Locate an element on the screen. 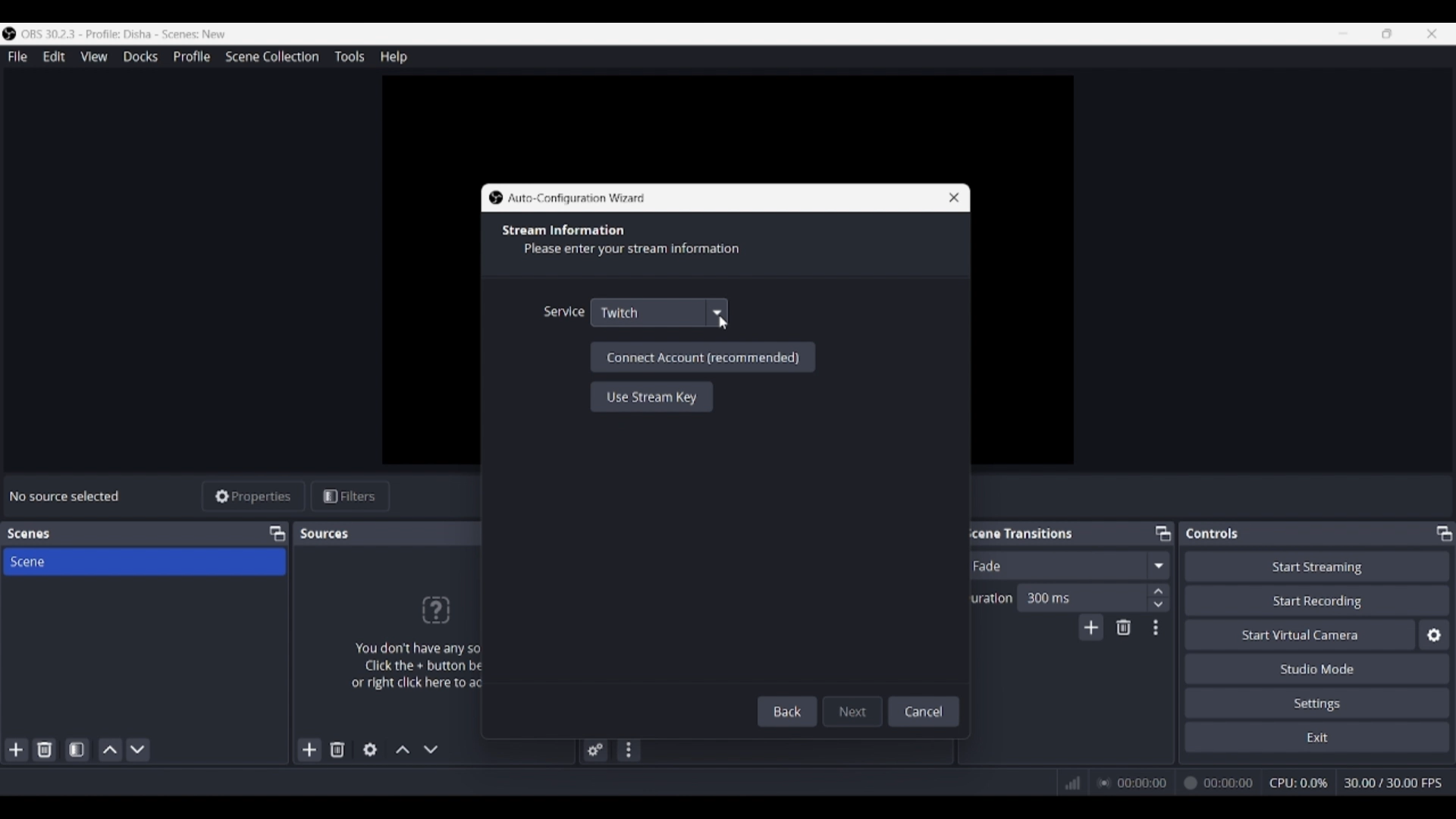 The image size is (1456, 819). Delete selected scene is located at coordinates (44, 749).